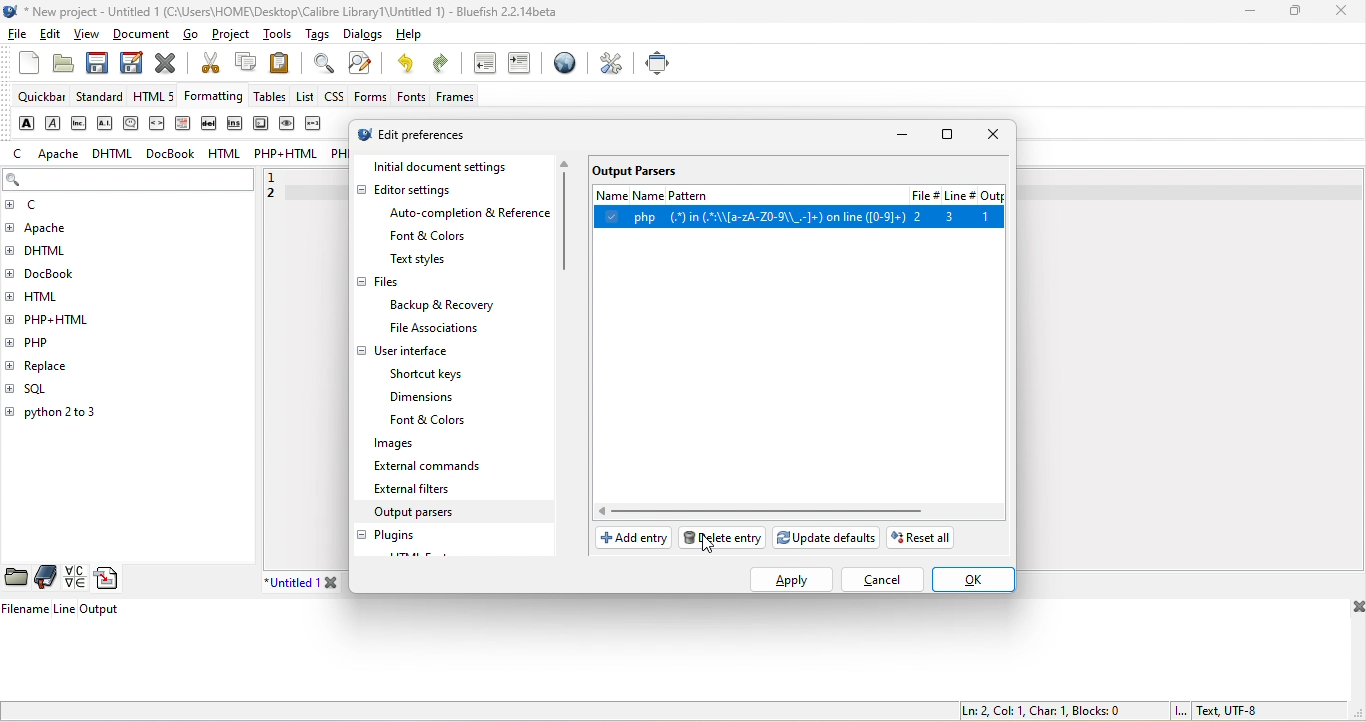 The image size is (1366, 722). Describe the element at coordinates (904, 136) in the screenshot. I see `minimize` at that location.